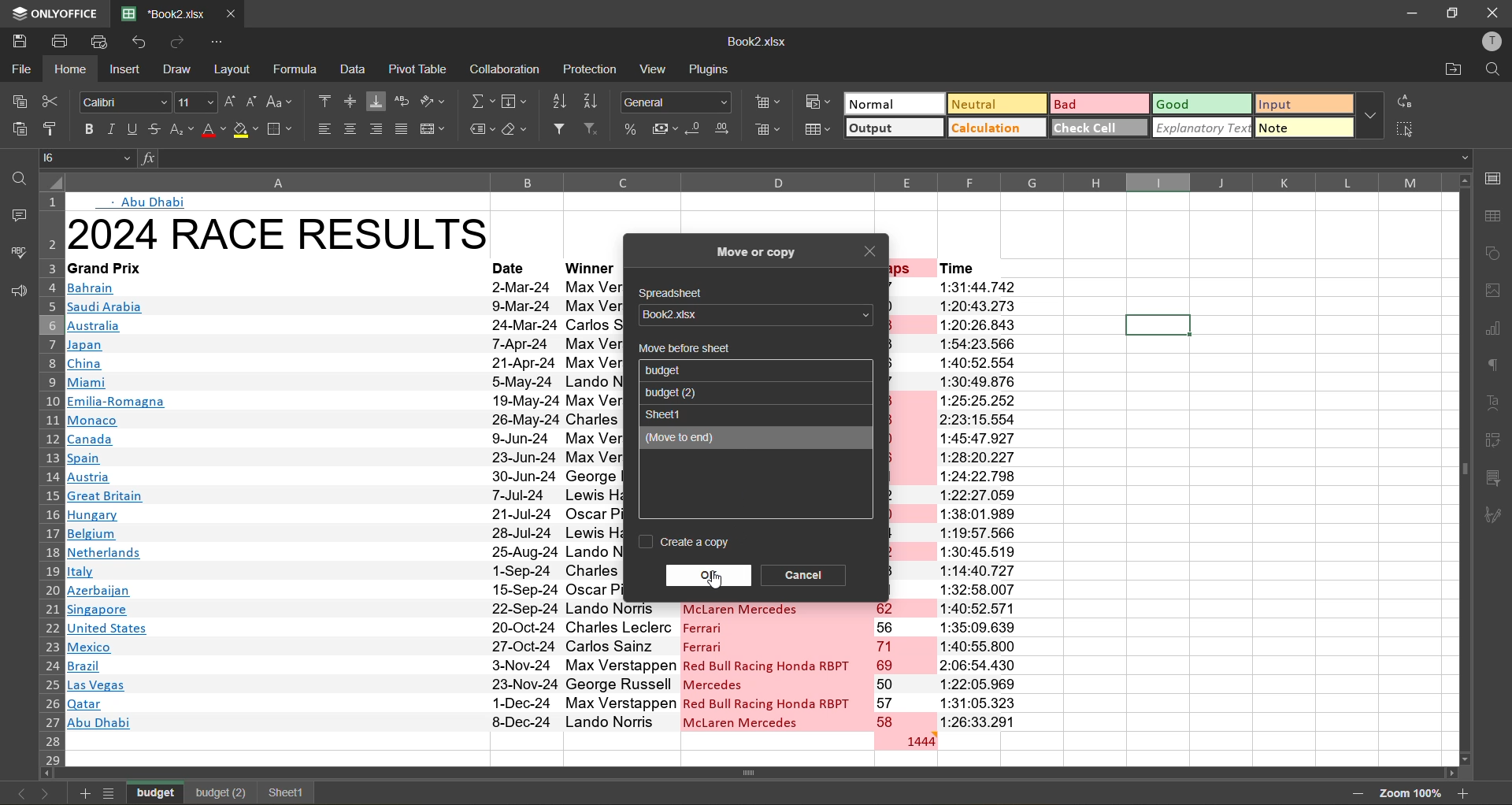 This screenshot has width=1512, height=805. Describe the element at coordinates (52, 101) in the screenshot. I see `cut` at that location.